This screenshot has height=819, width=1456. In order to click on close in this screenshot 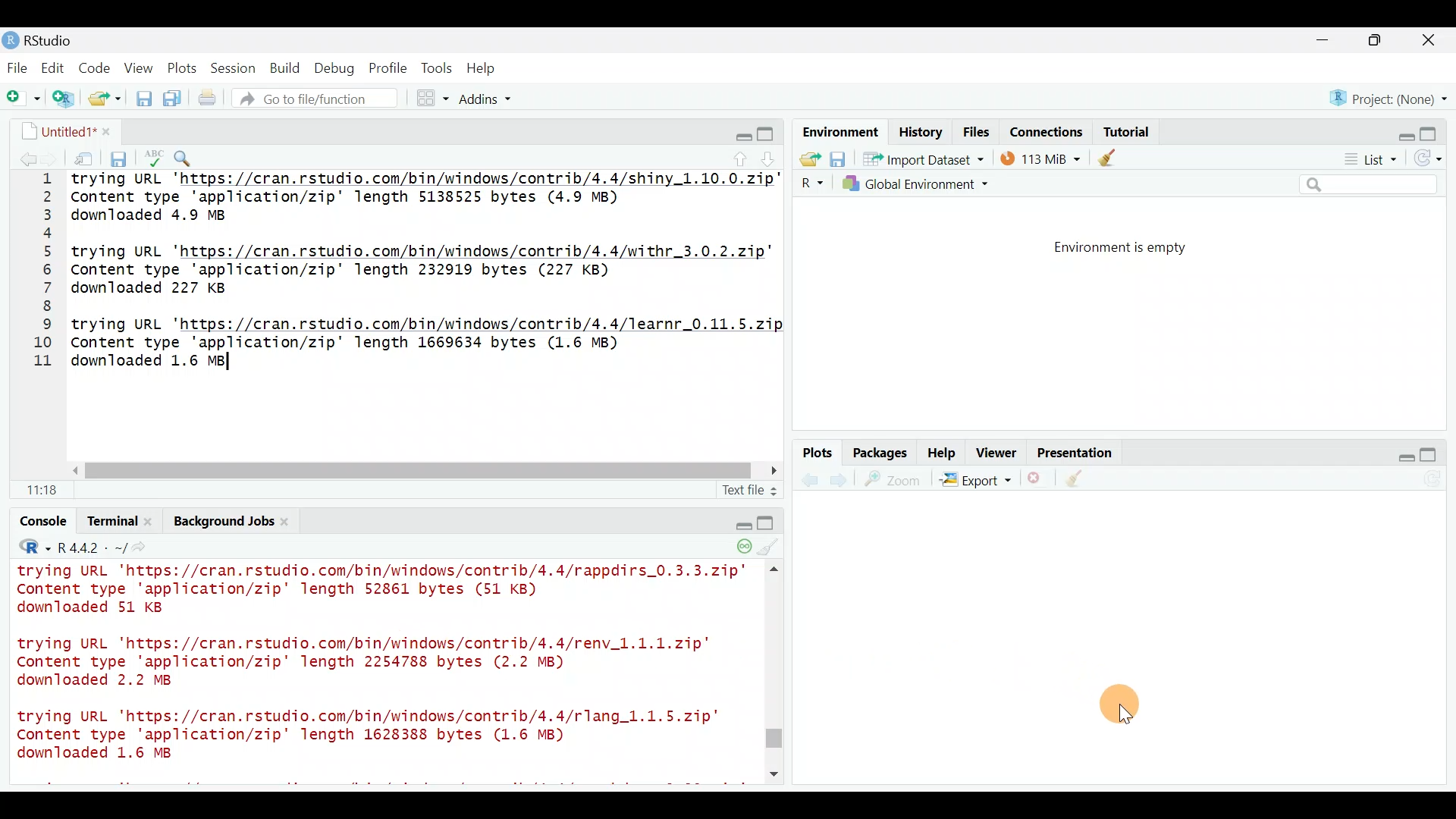, I will do `click(104, 128)`.